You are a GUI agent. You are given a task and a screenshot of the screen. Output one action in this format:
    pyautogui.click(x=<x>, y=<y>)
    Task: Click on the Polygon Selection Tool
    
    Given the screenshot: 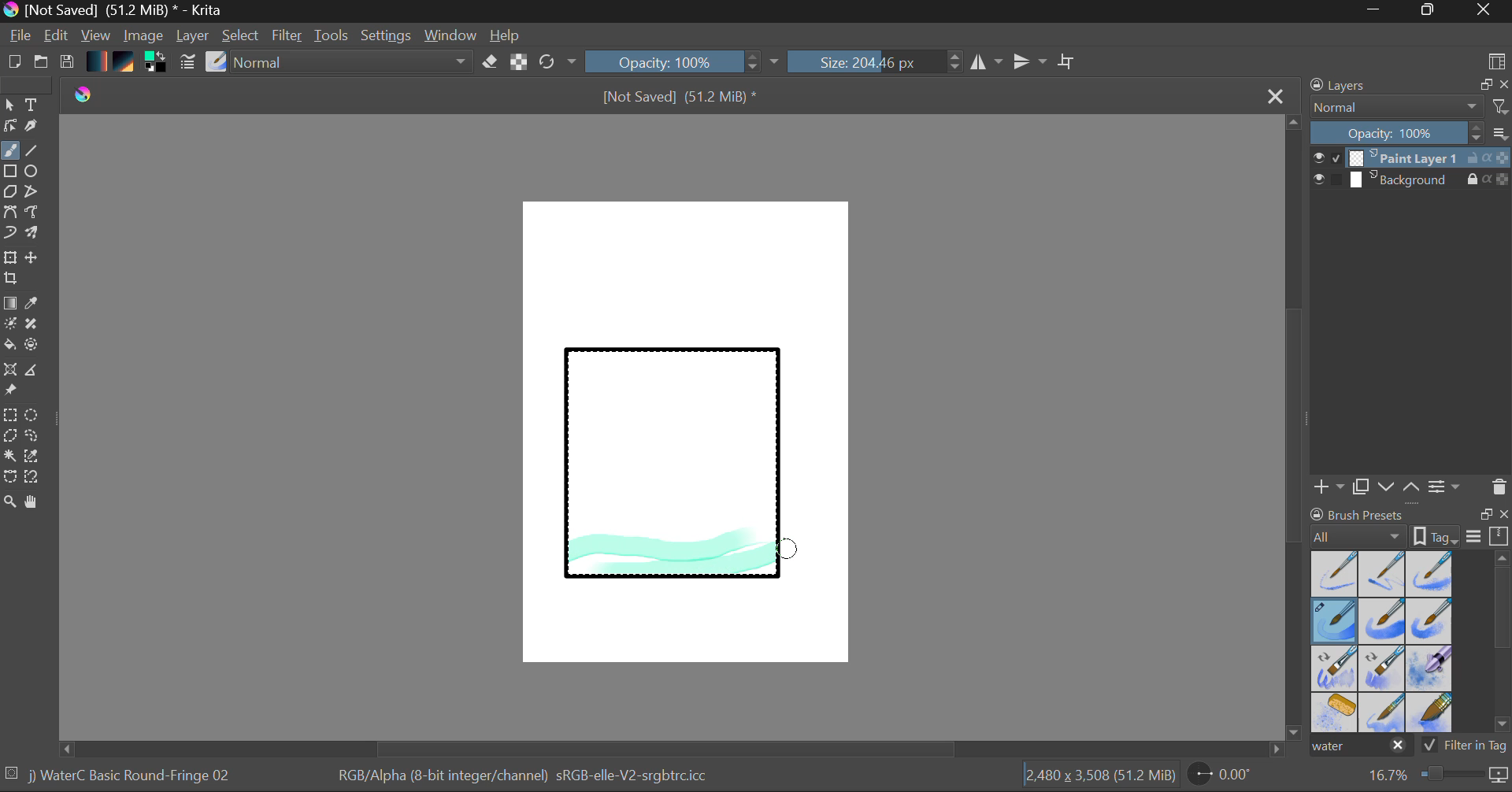 What is the action you would take?
    pyautogui.click(x=9, y=436)
    